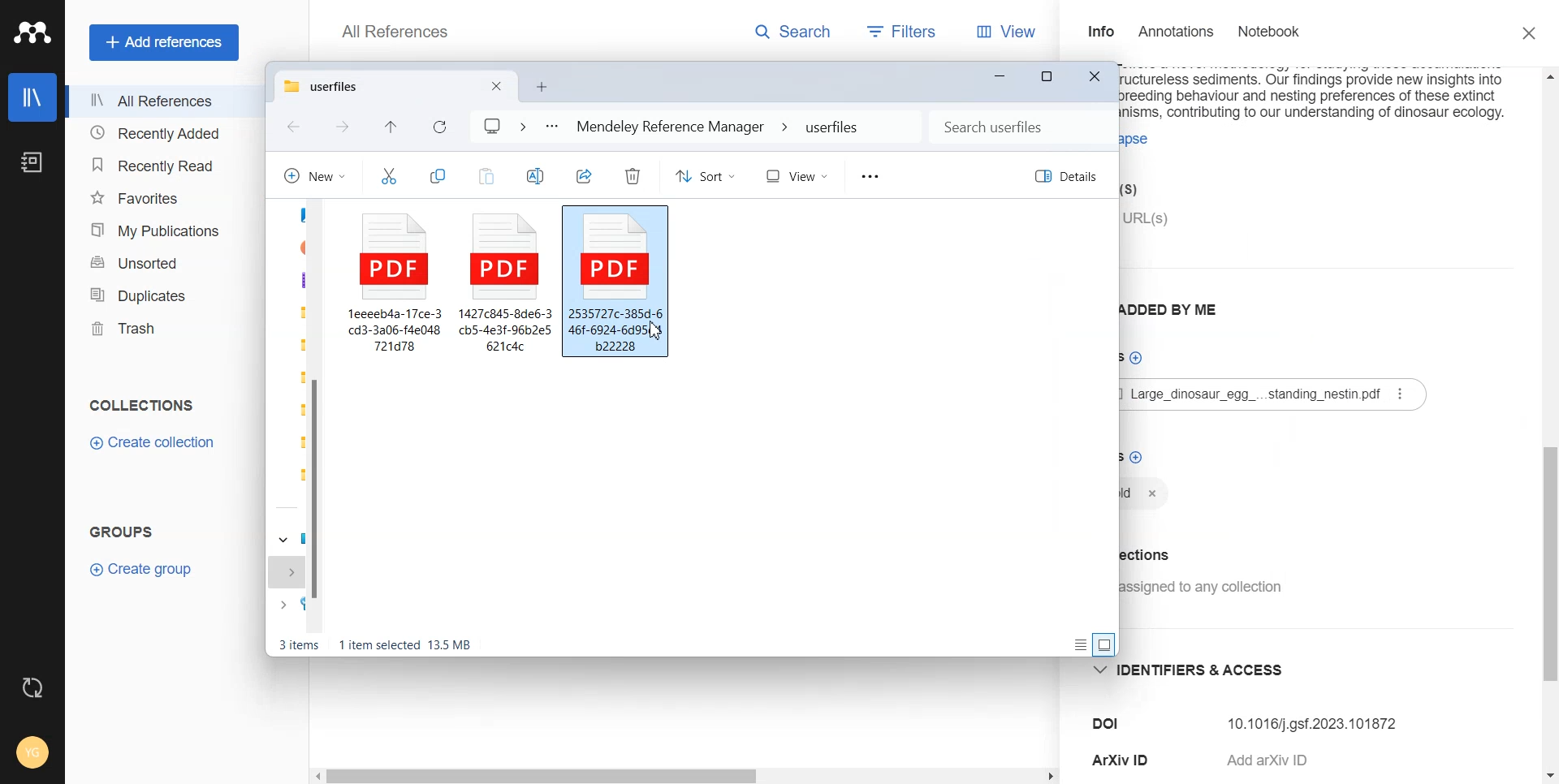  Describe the element at coordinates (165, 101) in the screenshot. I see `All References` at that location.